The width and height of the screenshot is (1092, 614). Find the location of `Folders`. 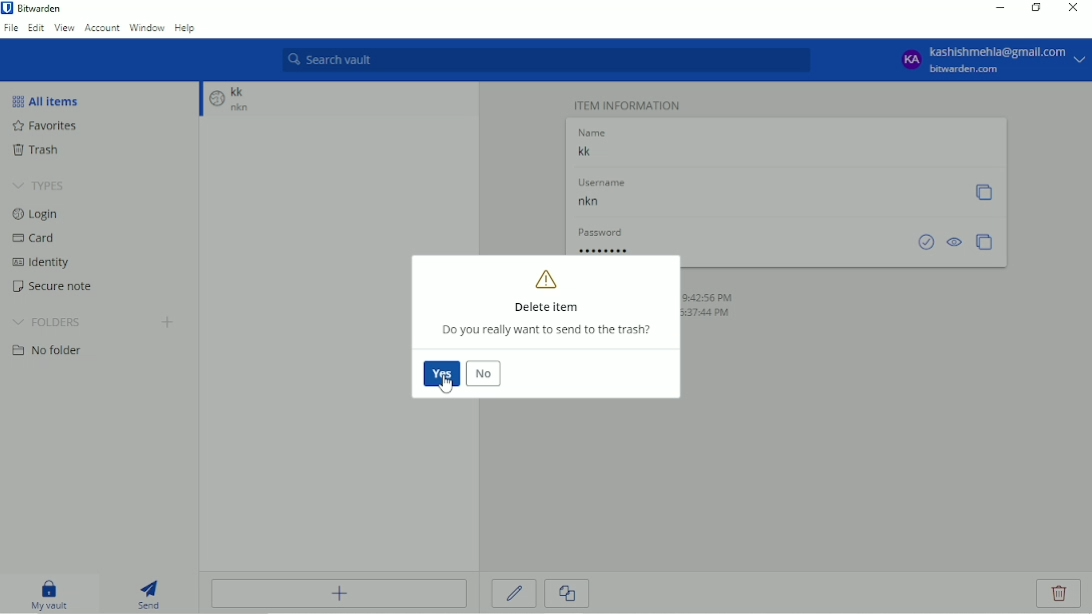

Folders is located at coordinates (47, 323).